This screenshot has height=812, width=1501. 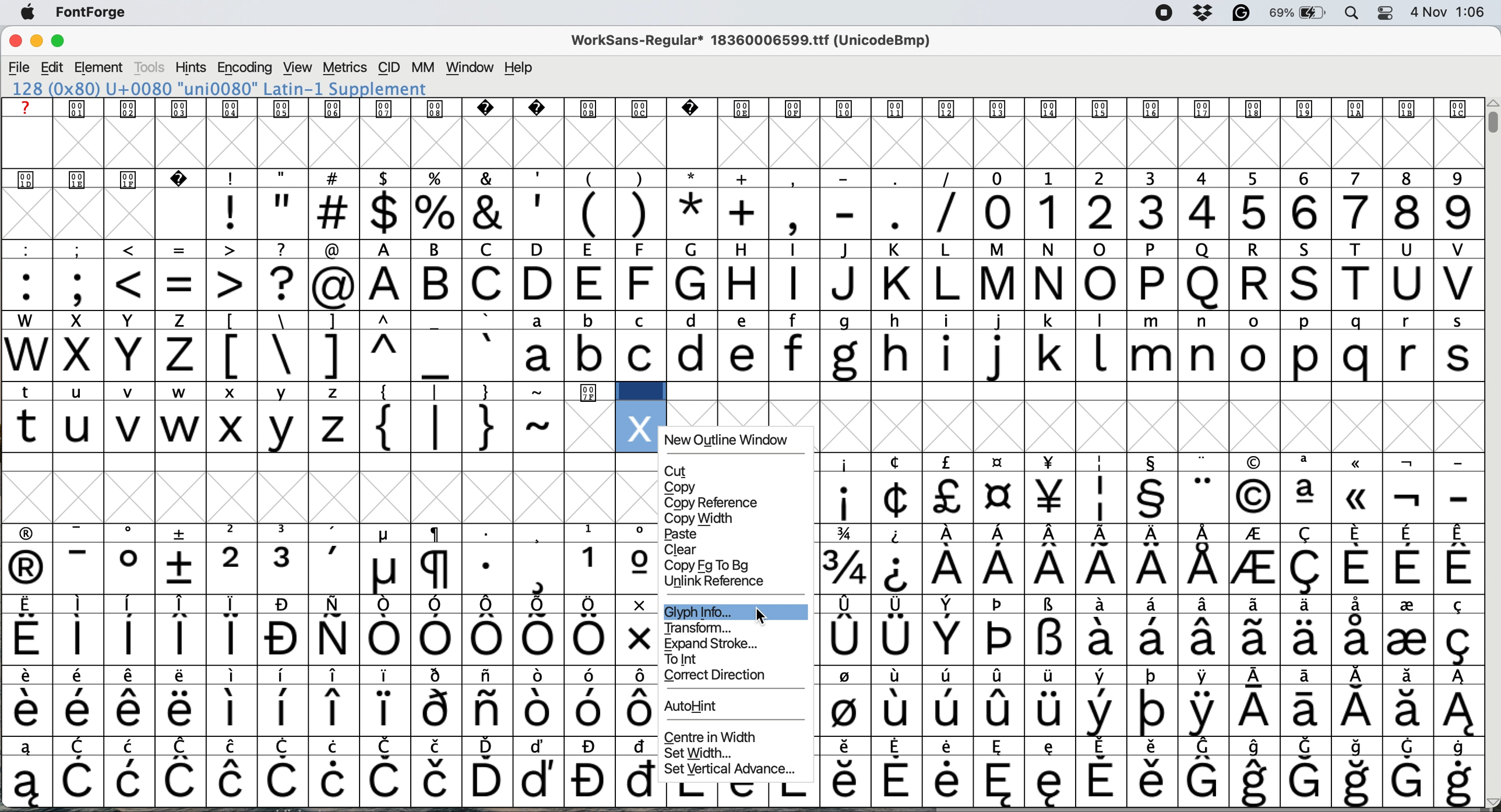 What do you see at coordinates (311, 427) in the screenshot?
I see `v z: lower case letters` at bounding box center [311, 427].